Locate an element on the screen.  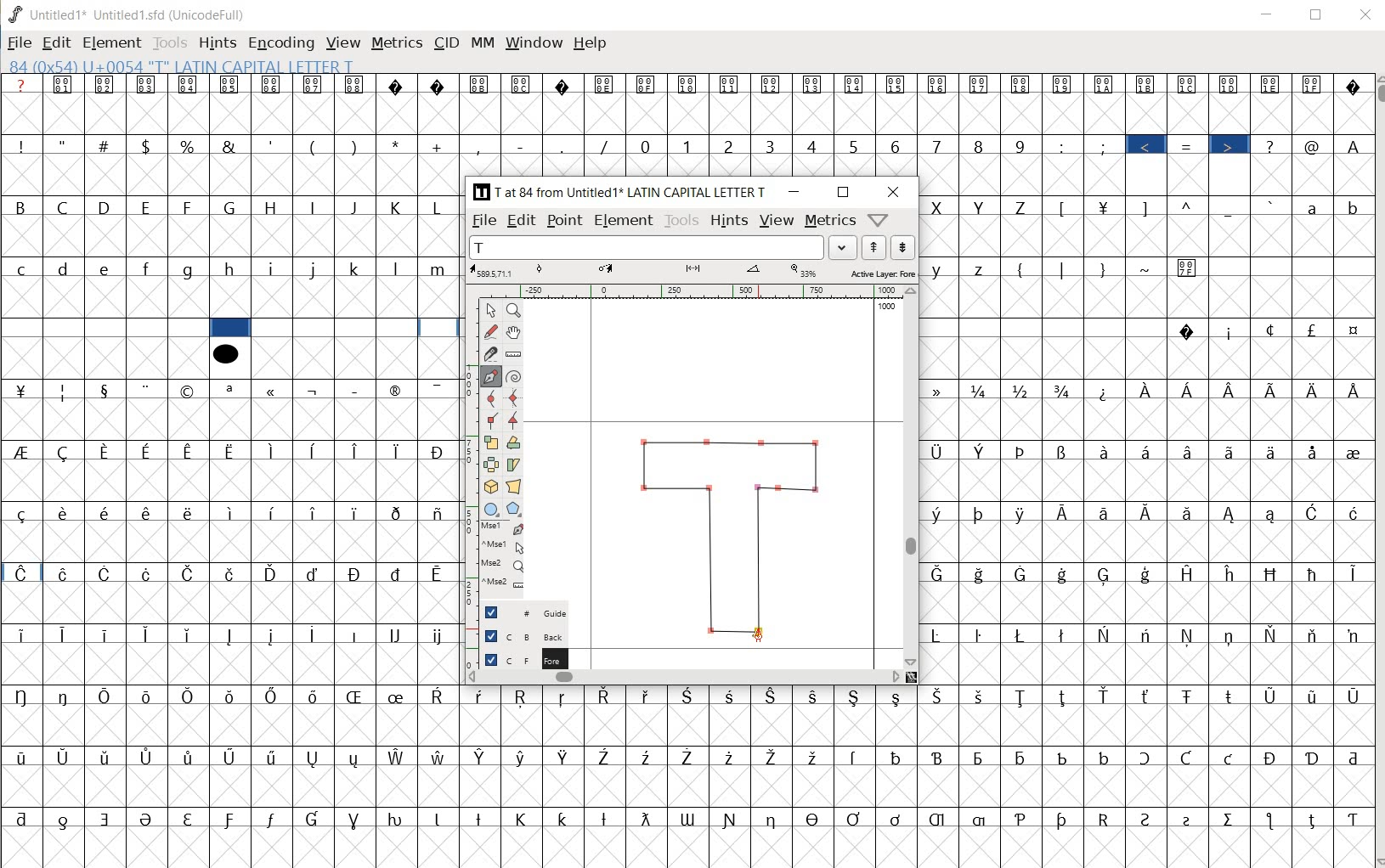
Symbol is located at coordinates (1230, 514).